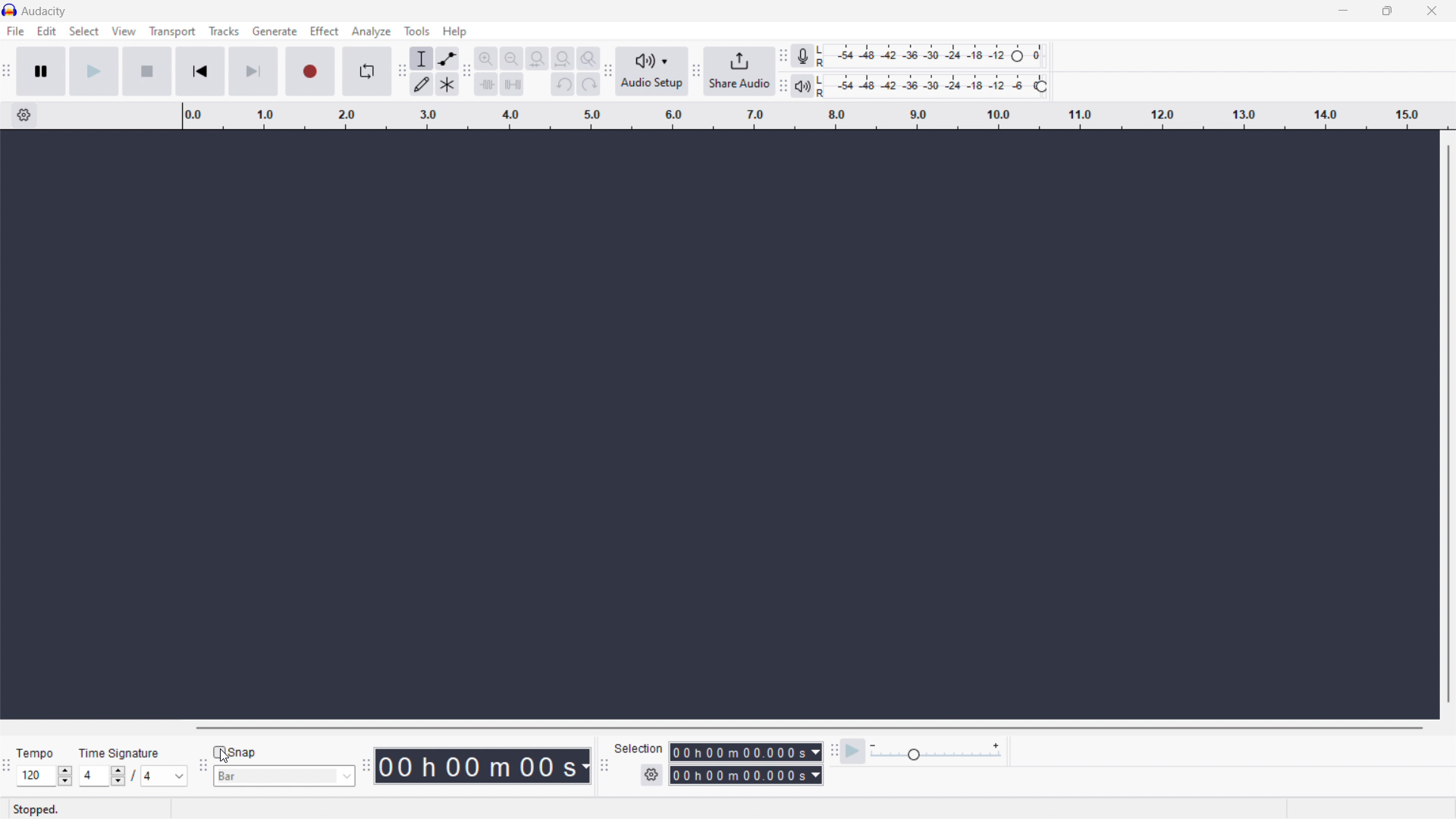 The width and height of the screenshot is (1456, 819). I want to click on zoom in, so click(487, 58).